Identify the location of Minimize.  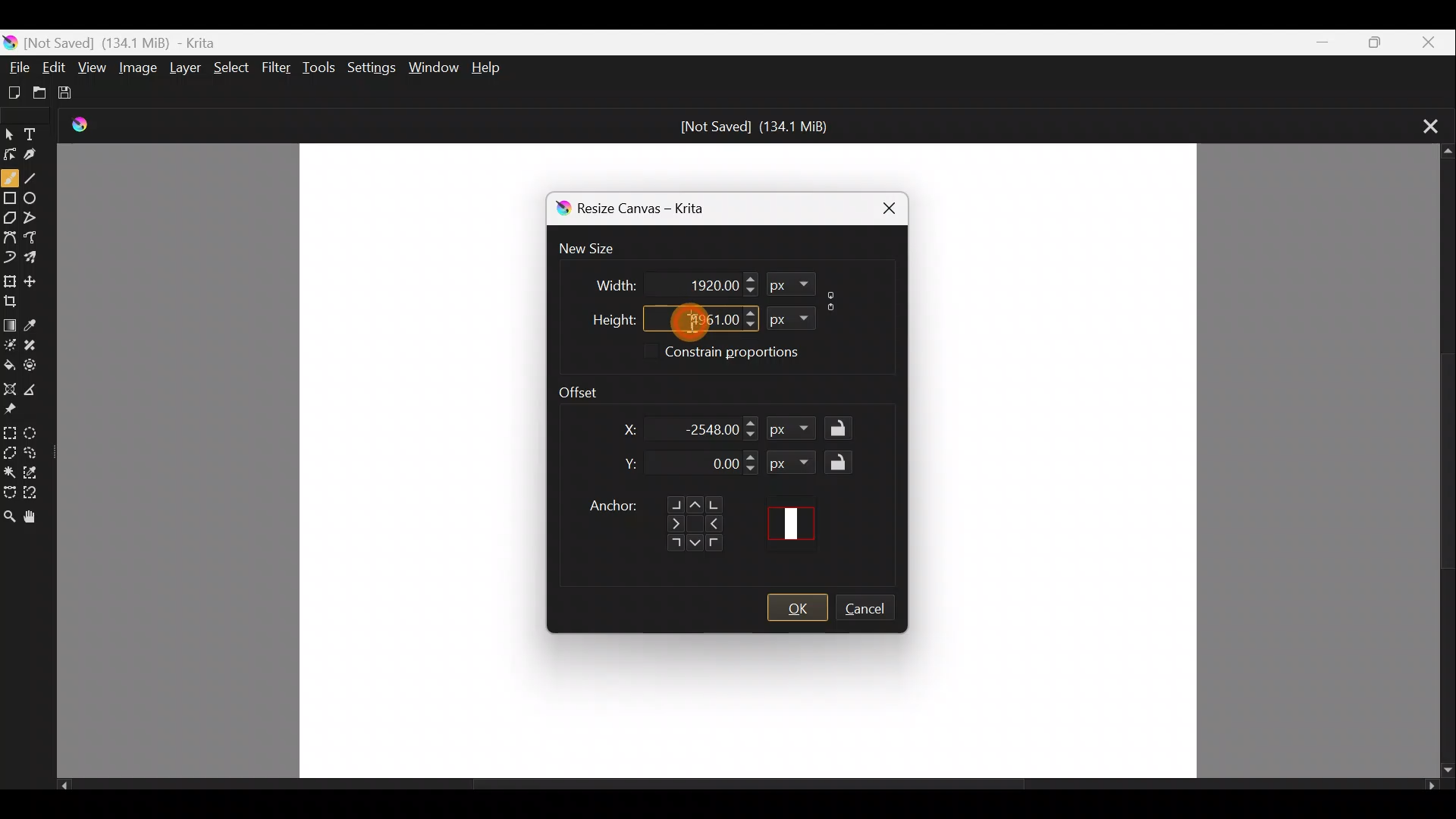
(1314, 42).